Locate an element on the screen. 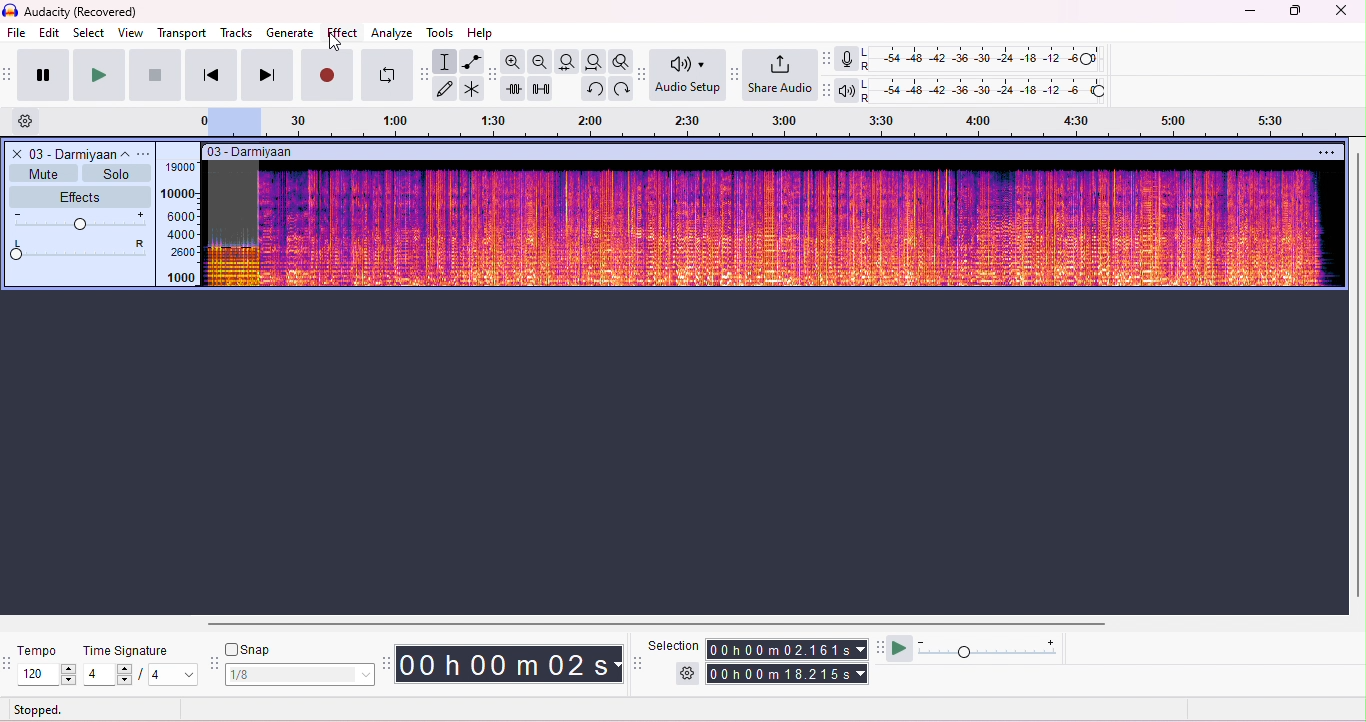 This screenshot has height=722, width=1366. silence selection is located at coordinates (542, 88).